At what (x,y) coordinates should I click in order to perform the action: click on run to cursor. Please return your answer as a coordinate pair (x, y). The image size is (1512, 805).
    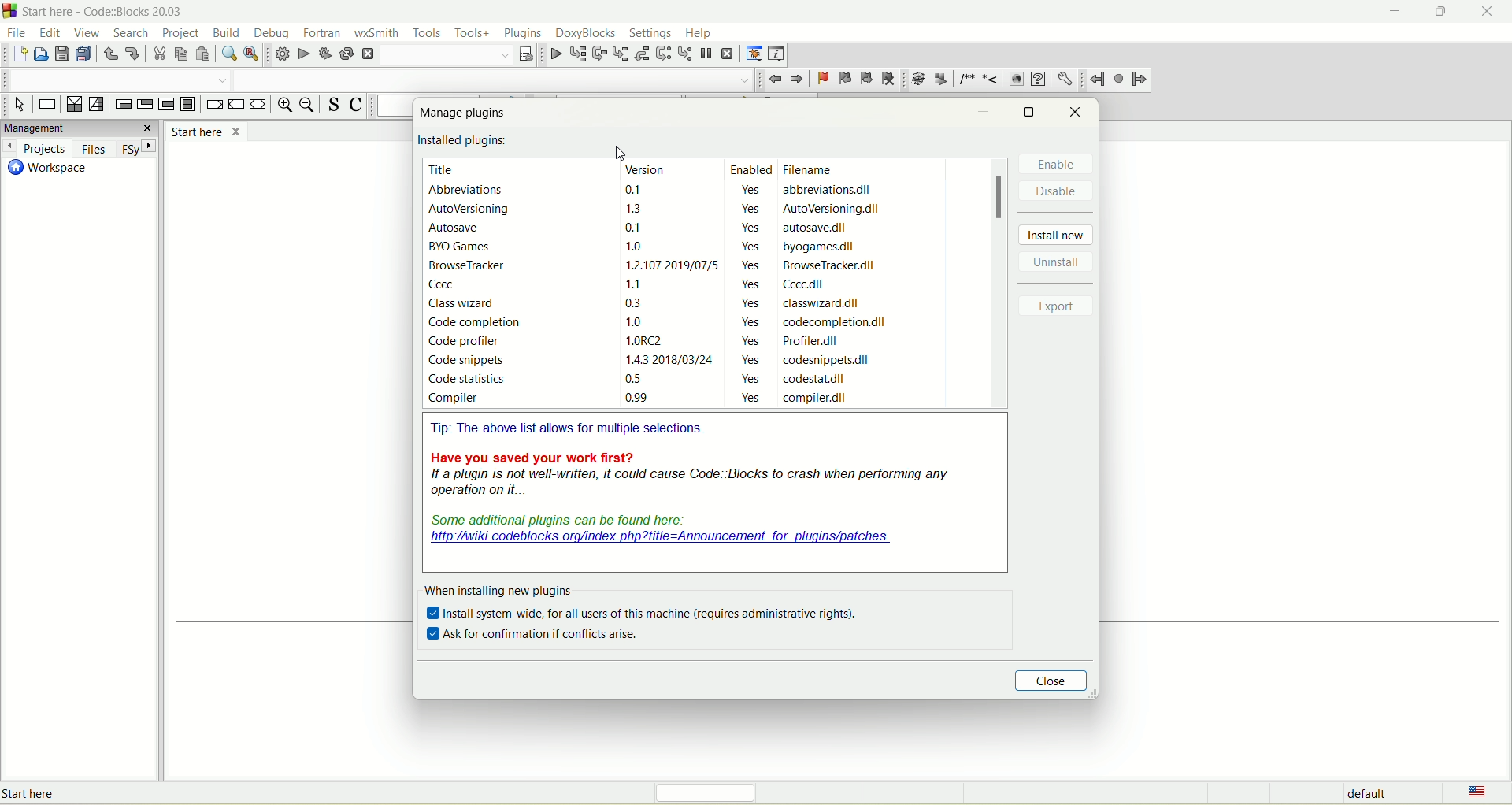
    Looking at the image, I should click on (576, 54).